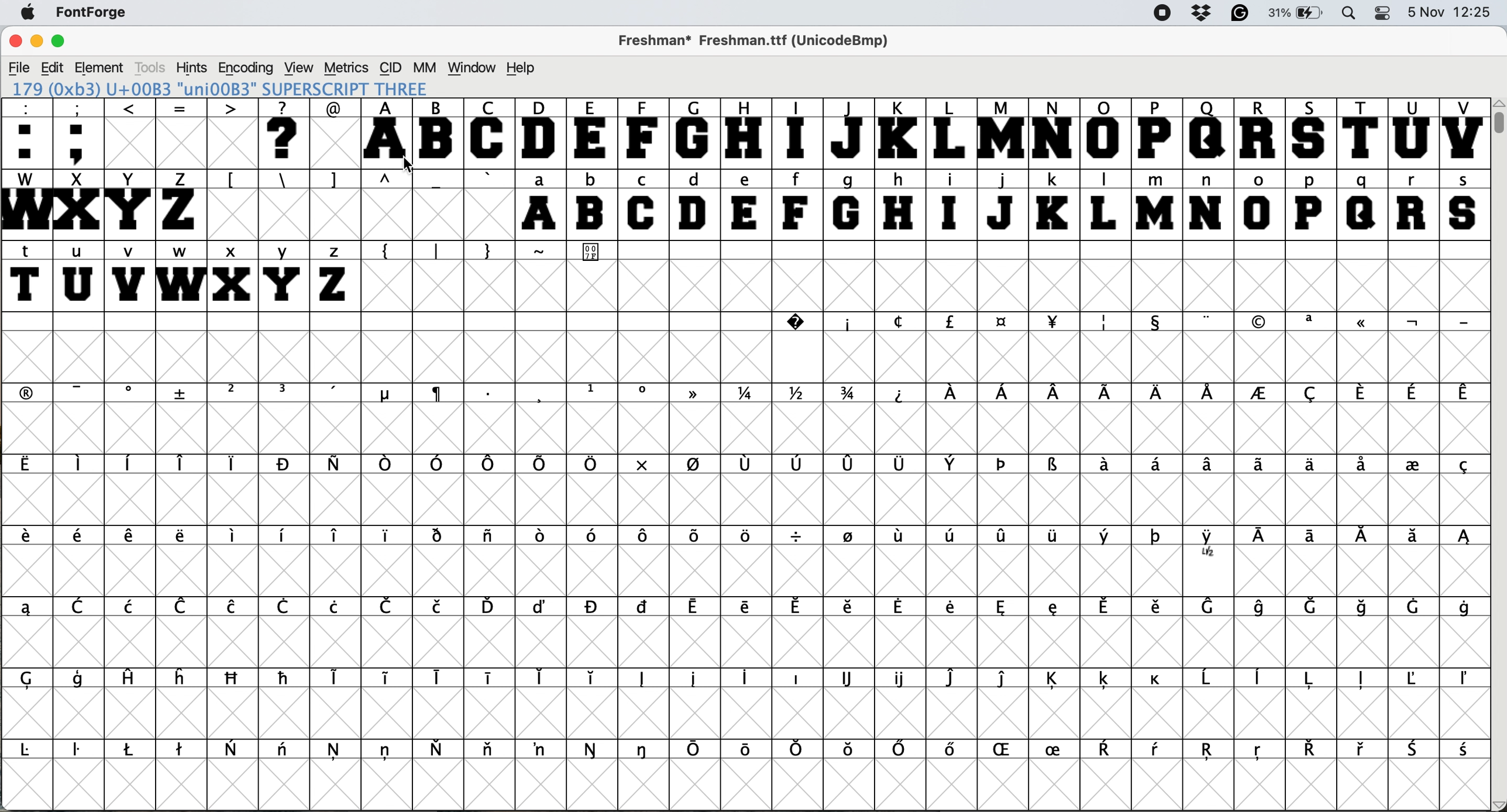  Describe the element at coordinates (194, 67) in the screenshot. I see `hints` at that location.